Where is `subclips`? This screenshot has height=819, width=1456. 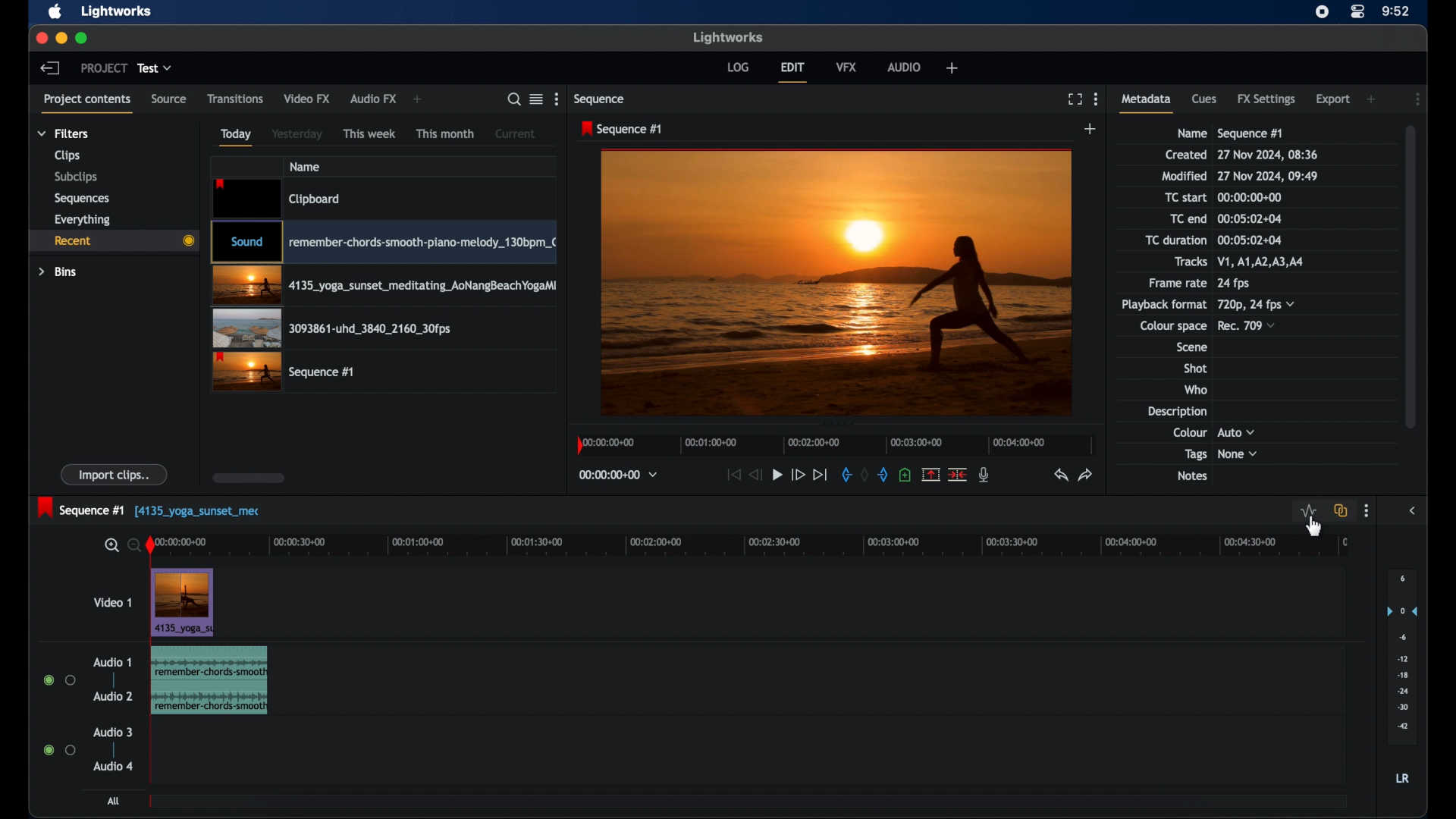 subclips is located at coordinates (76, 178).